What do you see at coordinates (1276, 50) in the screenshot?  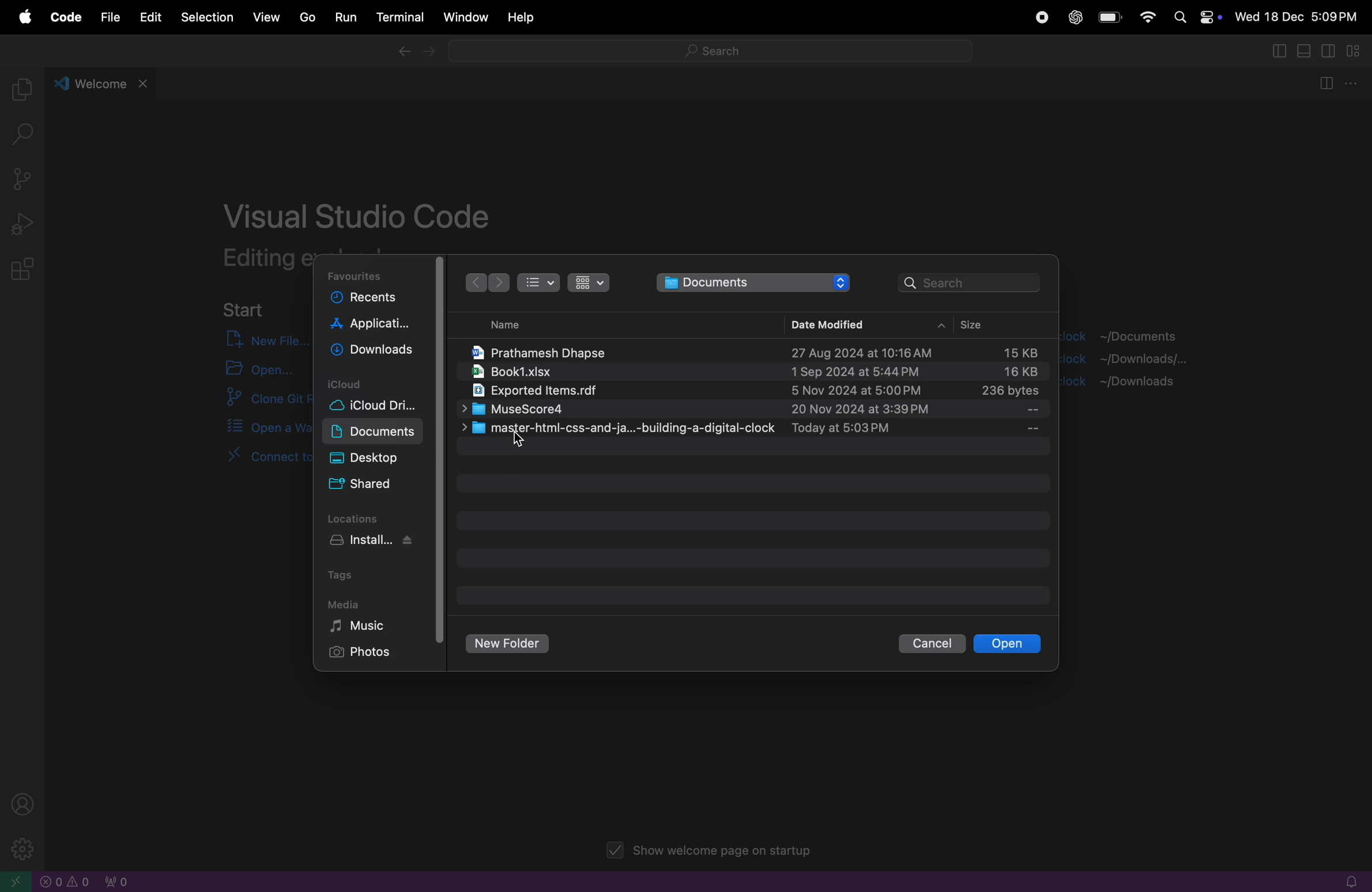 I see `split editor` at bounding box center [1276, 50].